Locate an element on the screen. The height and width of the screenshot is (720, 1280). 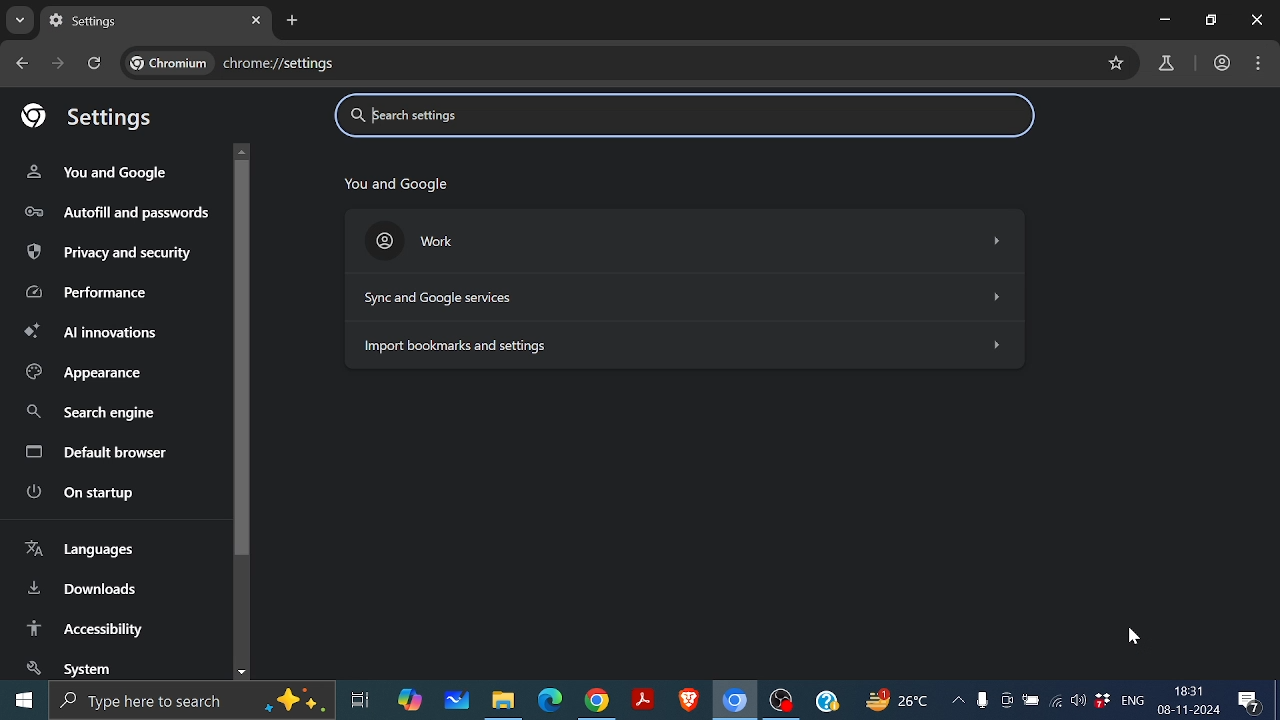
move up is located at coordinates (242, 152).